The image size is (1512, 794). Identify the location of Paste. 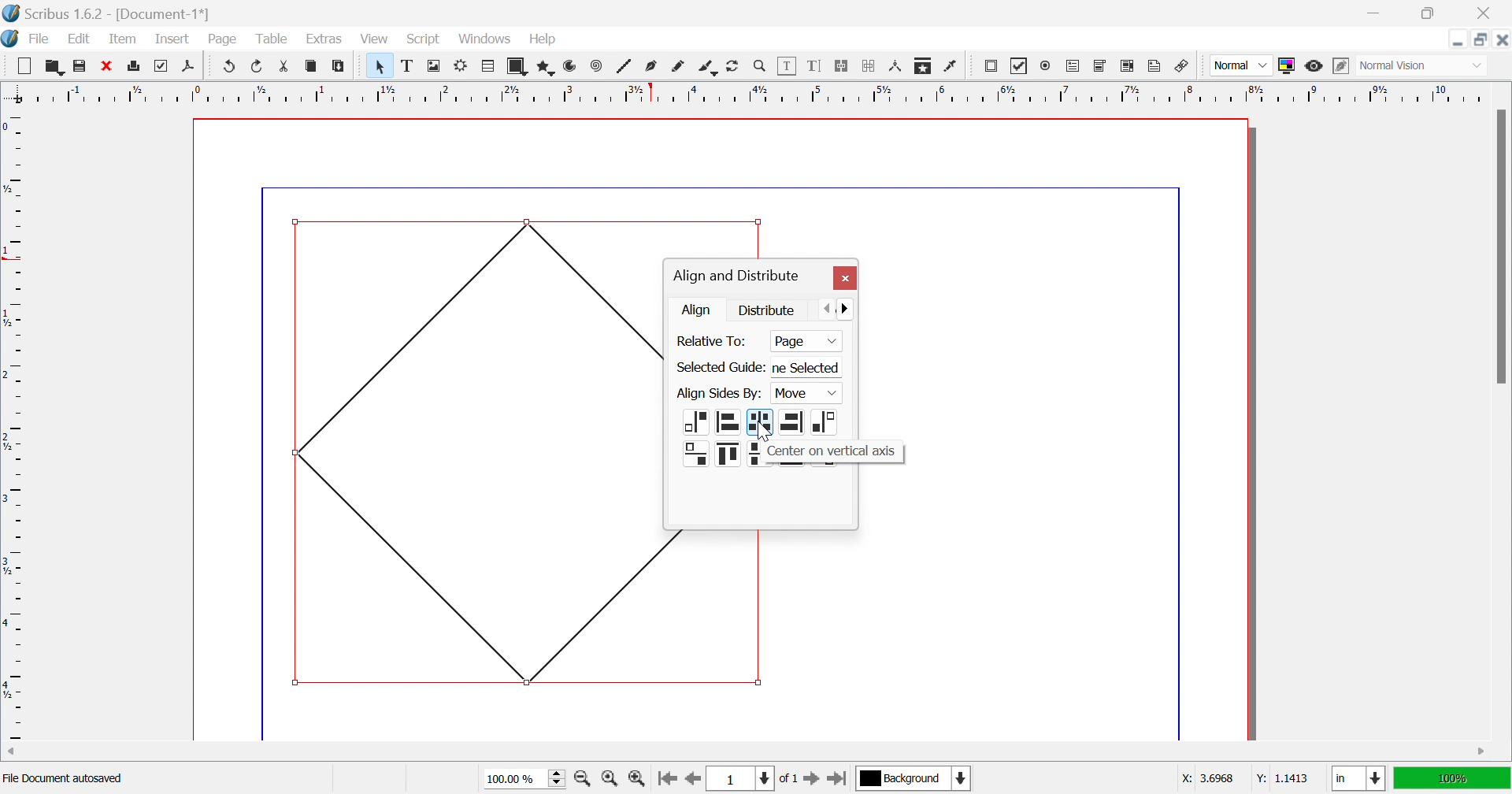
(341, 66).